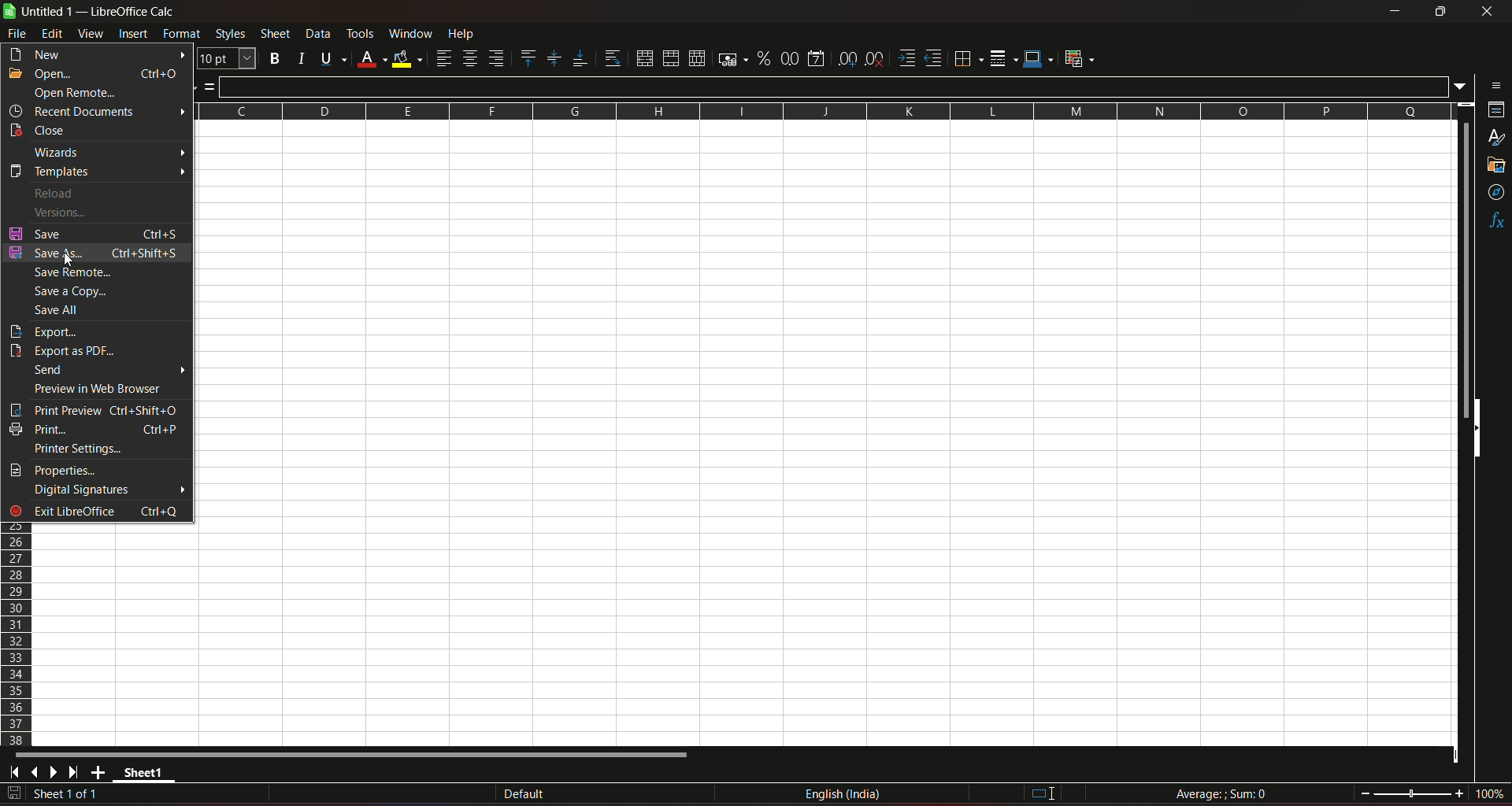 The height and width of the screenshot is (806, 1512). Describe the element at coordinates (1480, 431) in the screenshot. I see `hide` at that location.